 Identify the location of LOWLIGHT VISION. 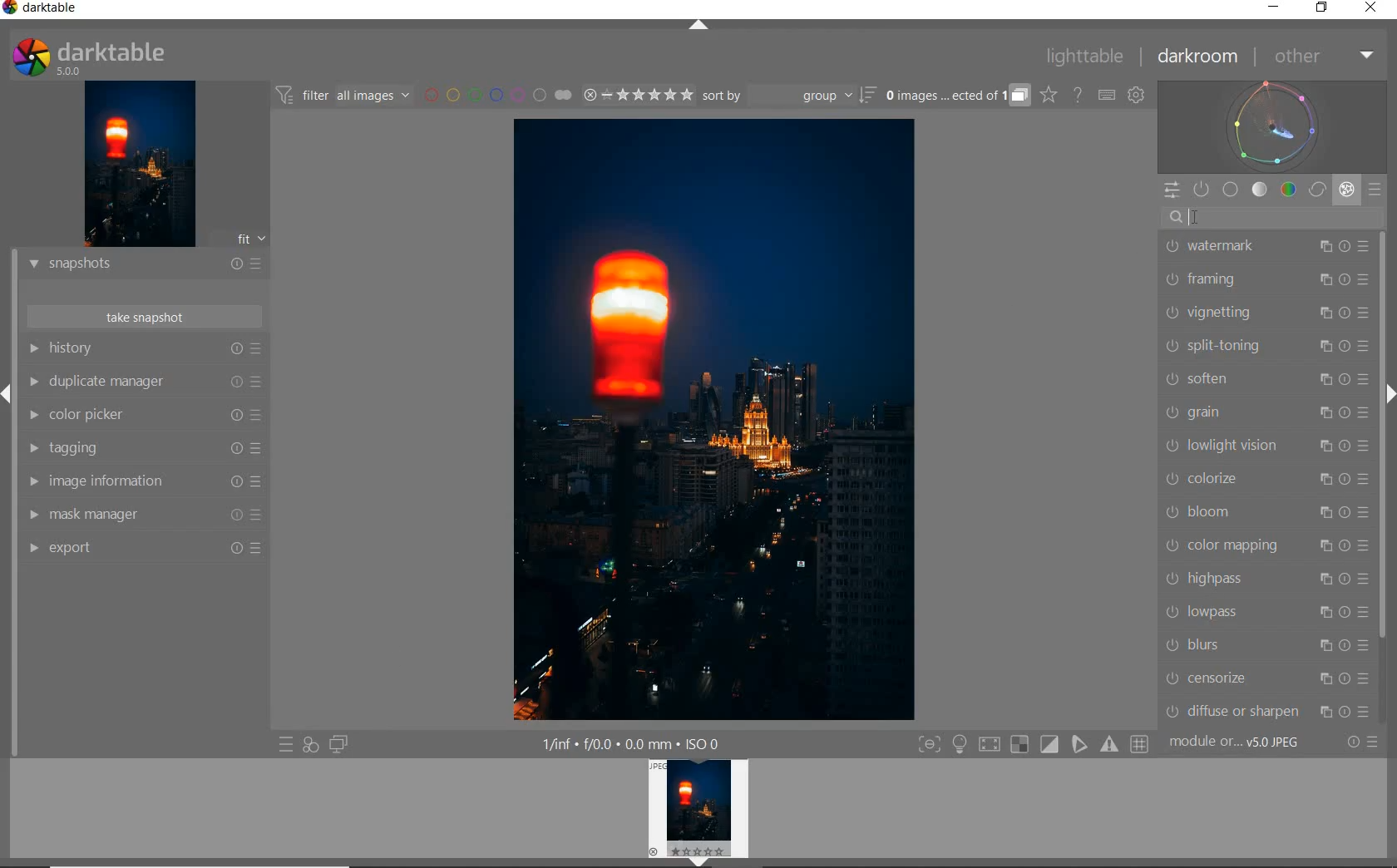
(1225, 447).